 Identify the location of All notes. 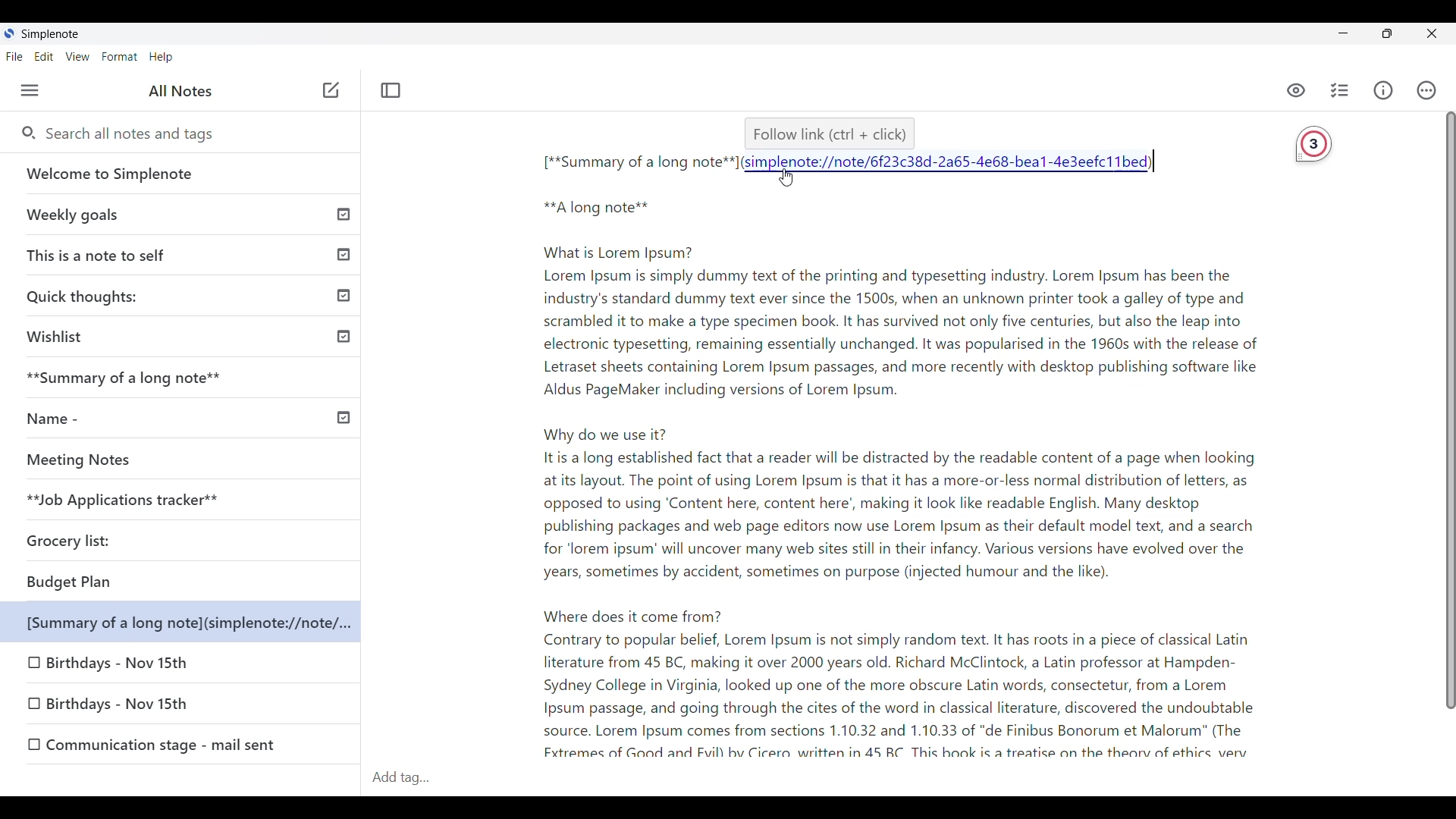
(180, 90).